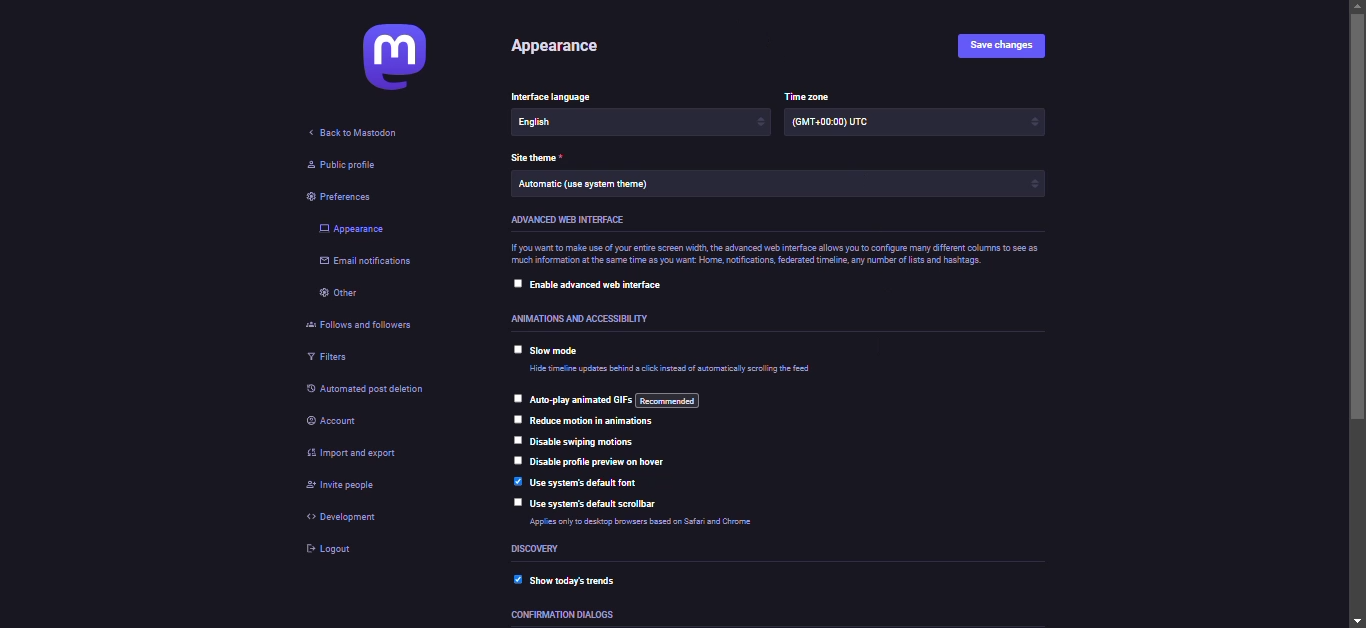 This screenshot has width=1366, height=628. Describe the element at coordinates (342, 169) in the screenshot. I see `public profile` at that location.